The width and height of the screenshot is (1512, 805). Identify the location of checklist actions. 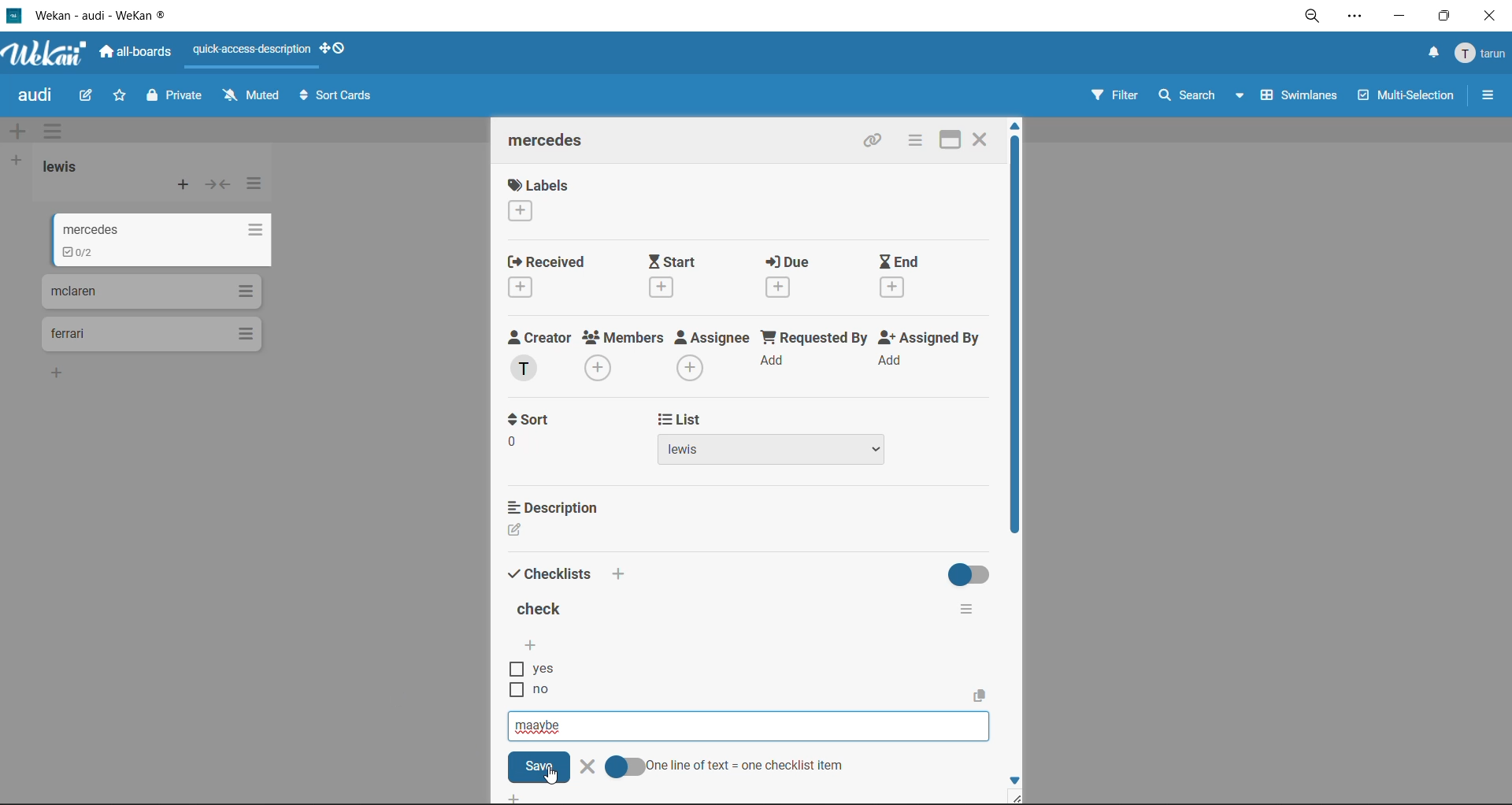
(977, 612).